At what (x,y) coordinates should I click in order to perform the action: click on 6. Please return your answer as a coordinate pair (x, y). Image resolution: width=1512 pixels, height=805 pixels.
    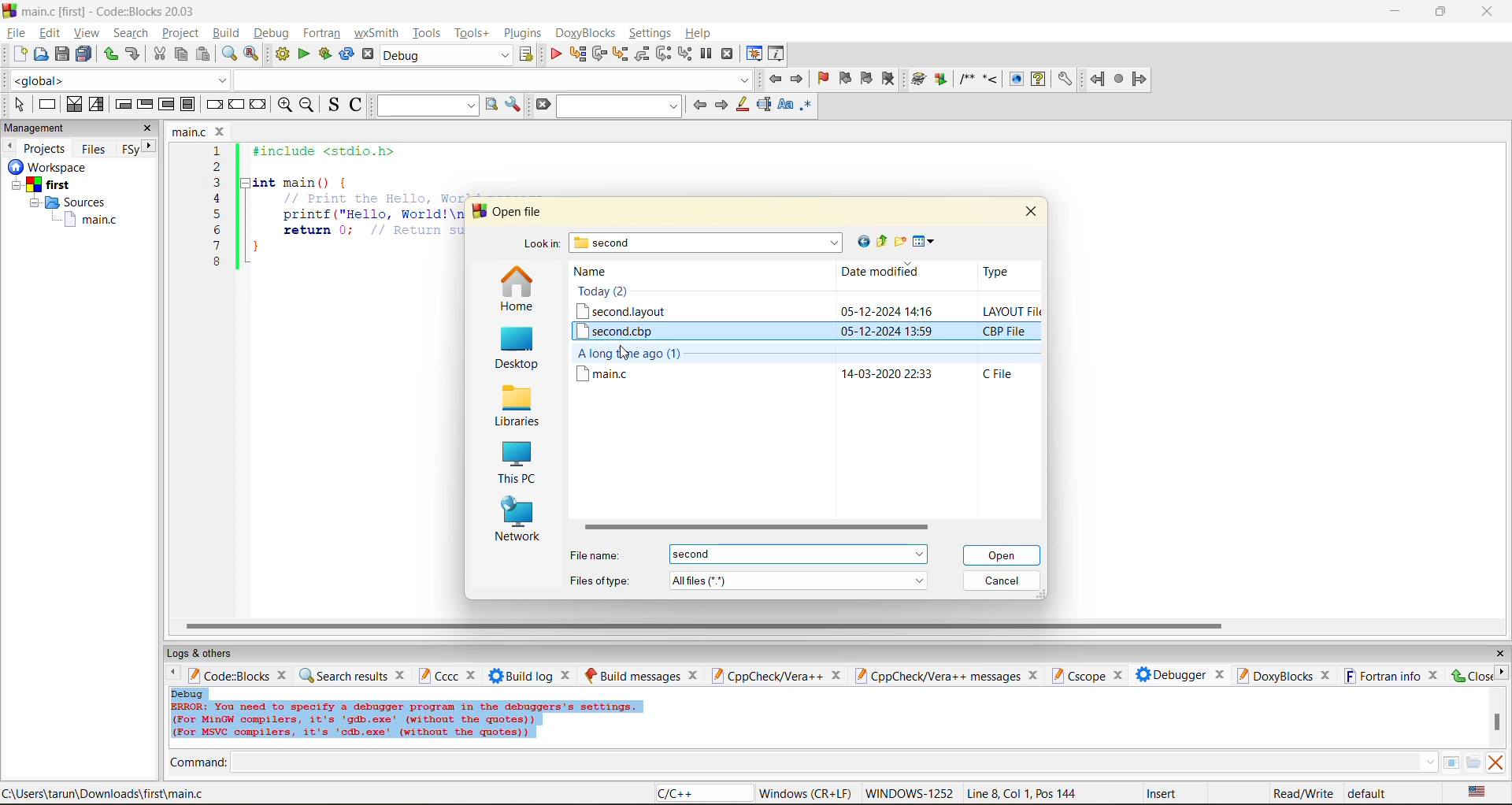
    Looking at the image, I should click on (217, 229).